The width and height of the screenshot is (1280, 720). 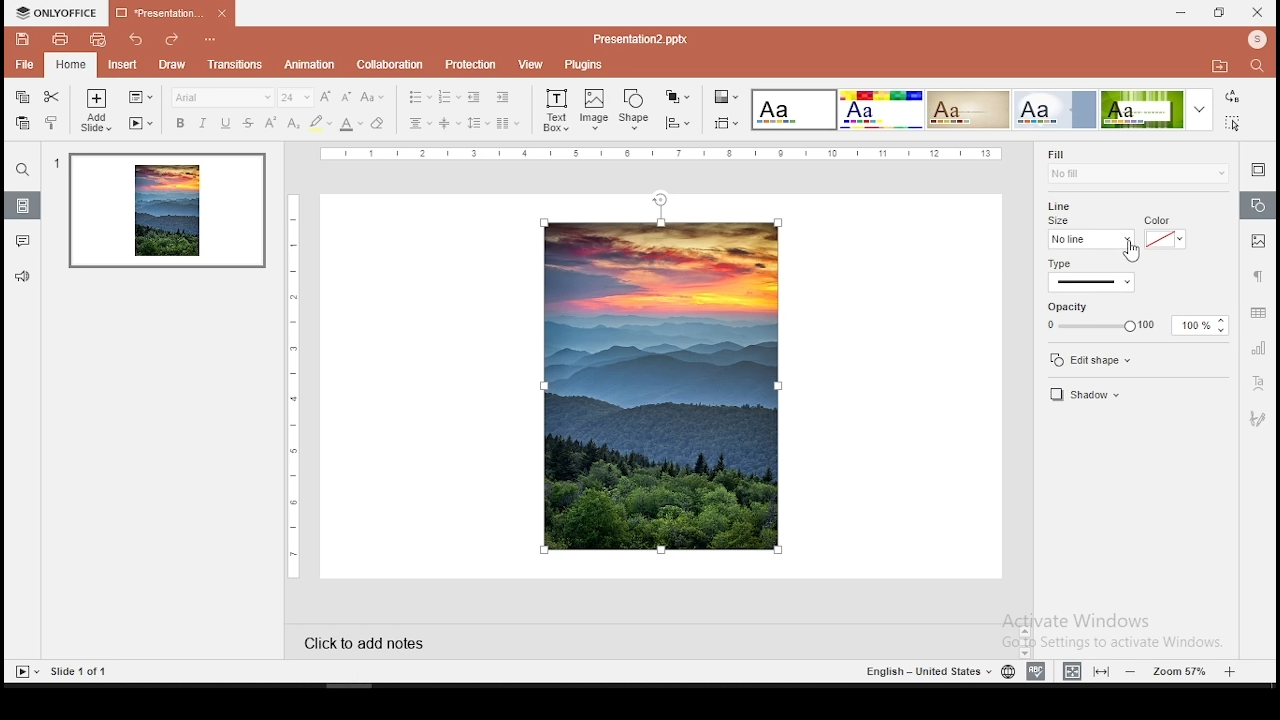 I want to click on change case, so click(x=374, y=97).